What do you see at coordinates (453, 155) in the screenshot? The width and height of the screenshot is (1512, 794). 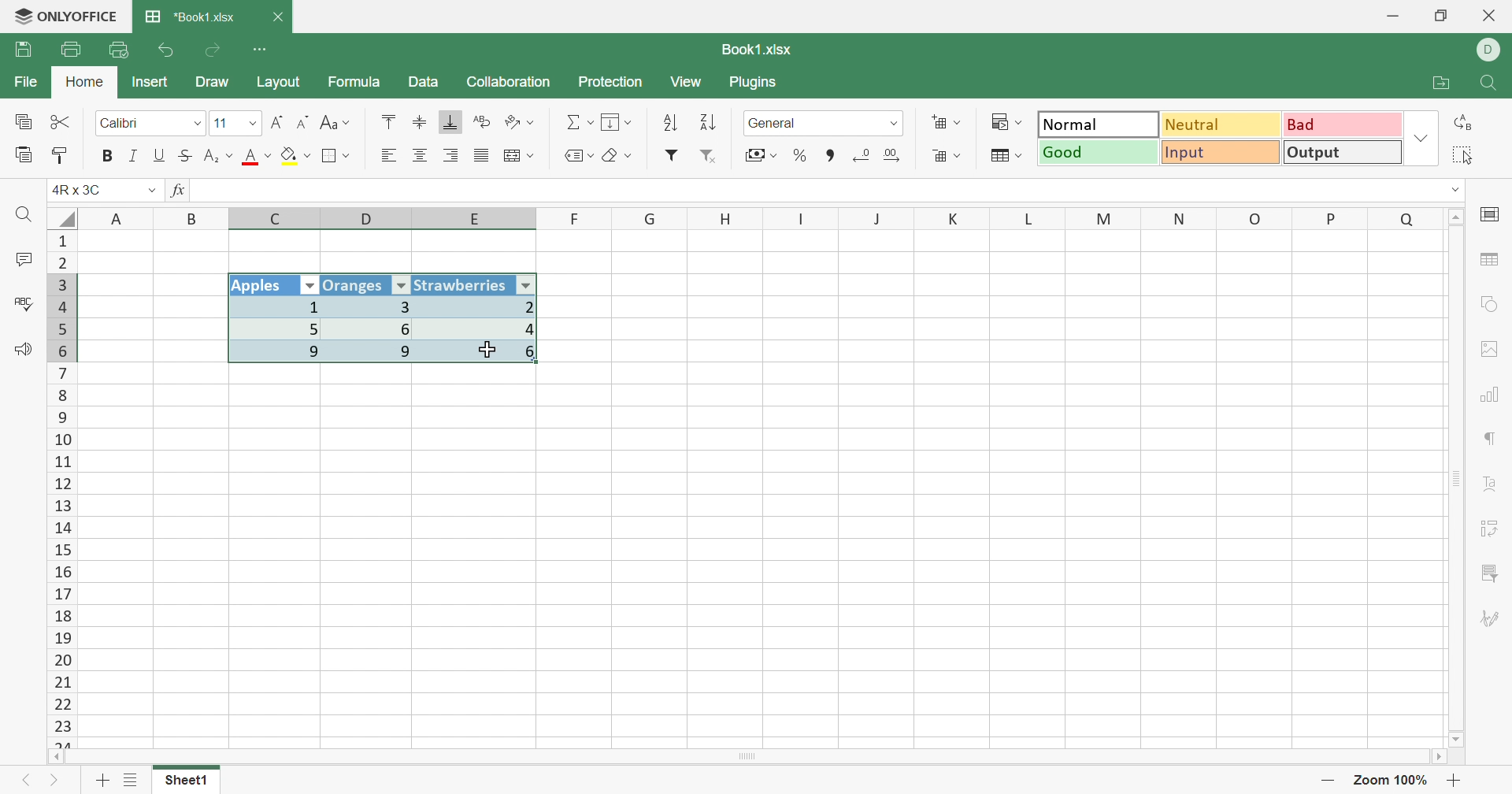 I see `Align Right` at bounding box center [453, 155].